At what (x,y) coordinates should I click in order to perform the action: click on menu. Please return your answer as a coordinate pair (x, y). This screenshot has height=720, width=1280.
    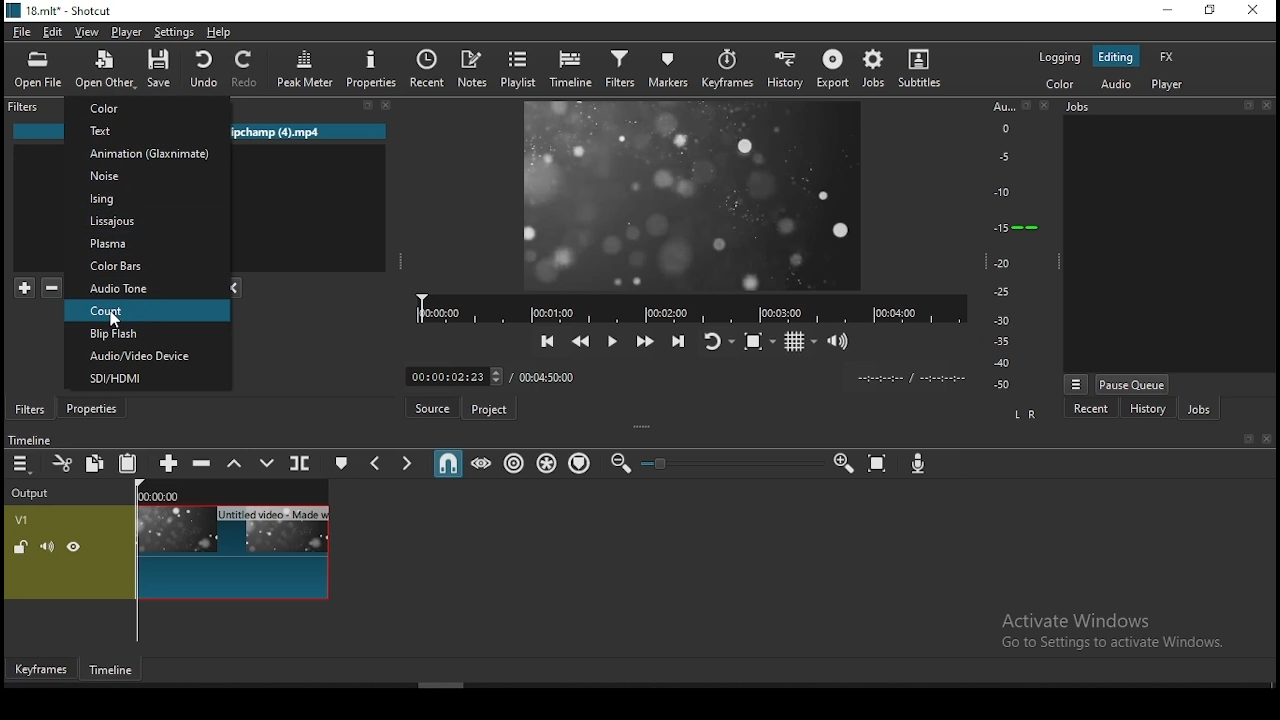
    Looking at the image, I should click on (23, 464).